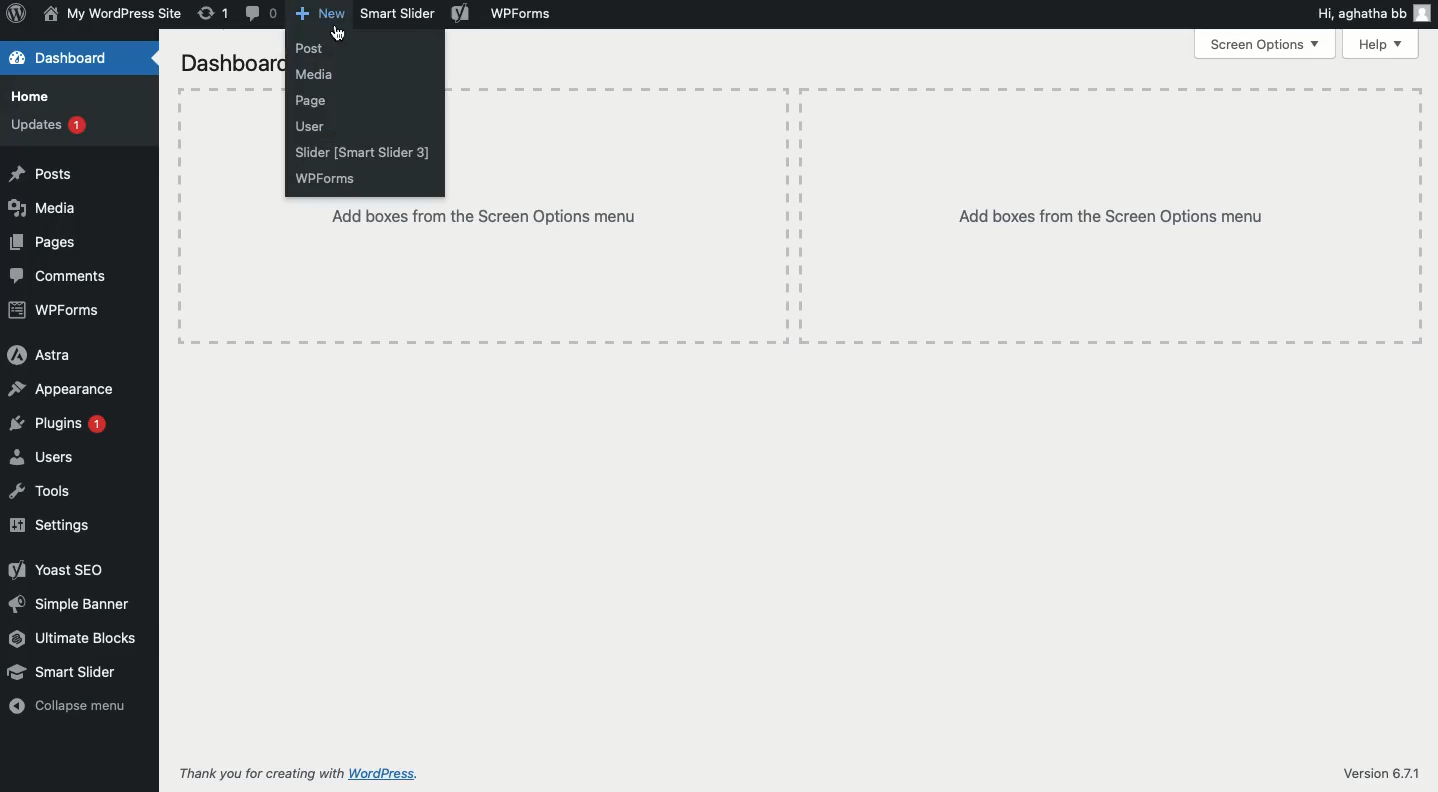 This screenshot has width=1438, height=792. I want to click on Simple banner, so click(72, 606).